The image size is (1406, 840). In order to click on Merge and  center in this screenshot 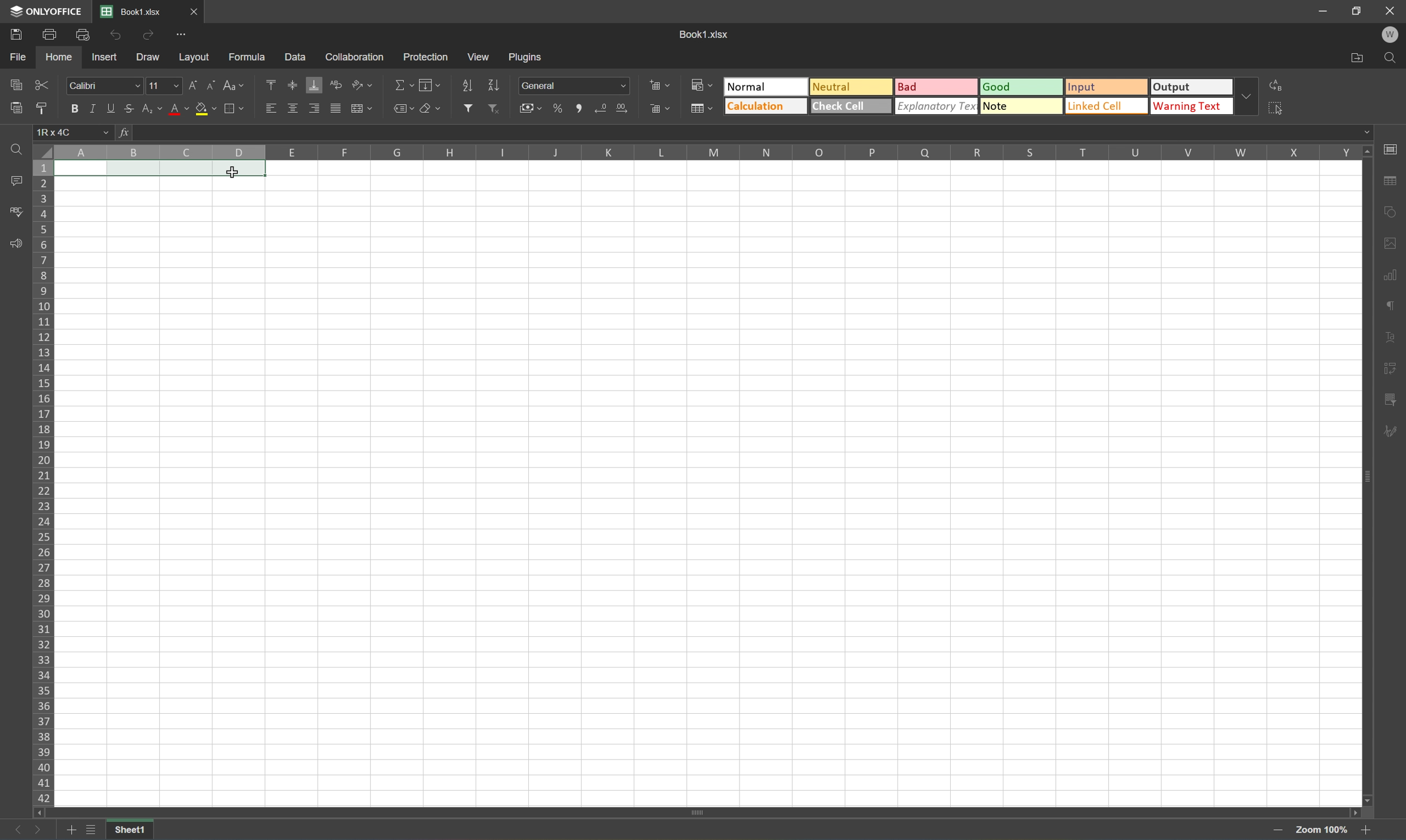, I will do `click(362, 111)`.